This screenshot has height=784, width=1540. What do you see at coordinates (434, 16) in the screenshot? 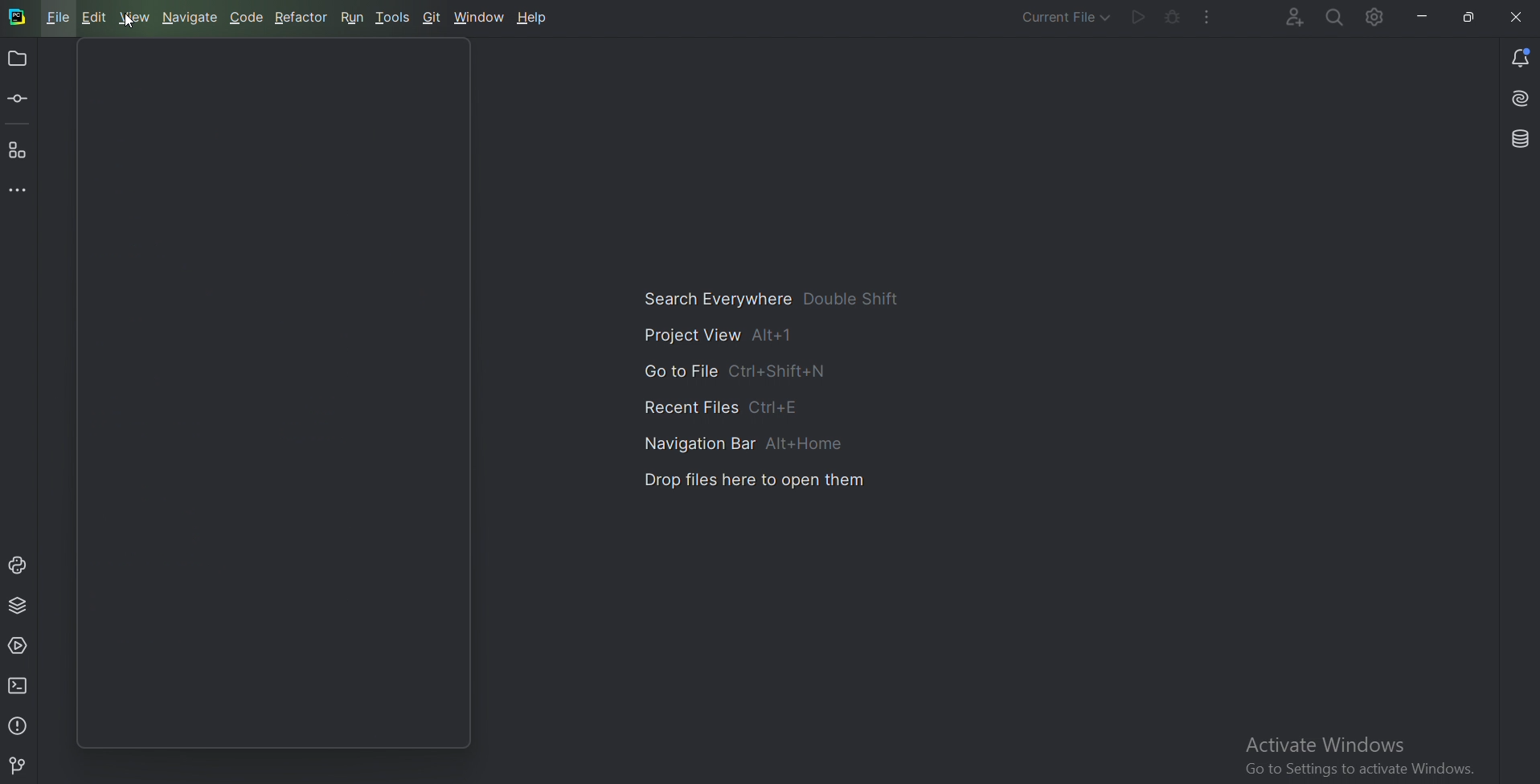
I see `Git` at bounding box center [434, 16].